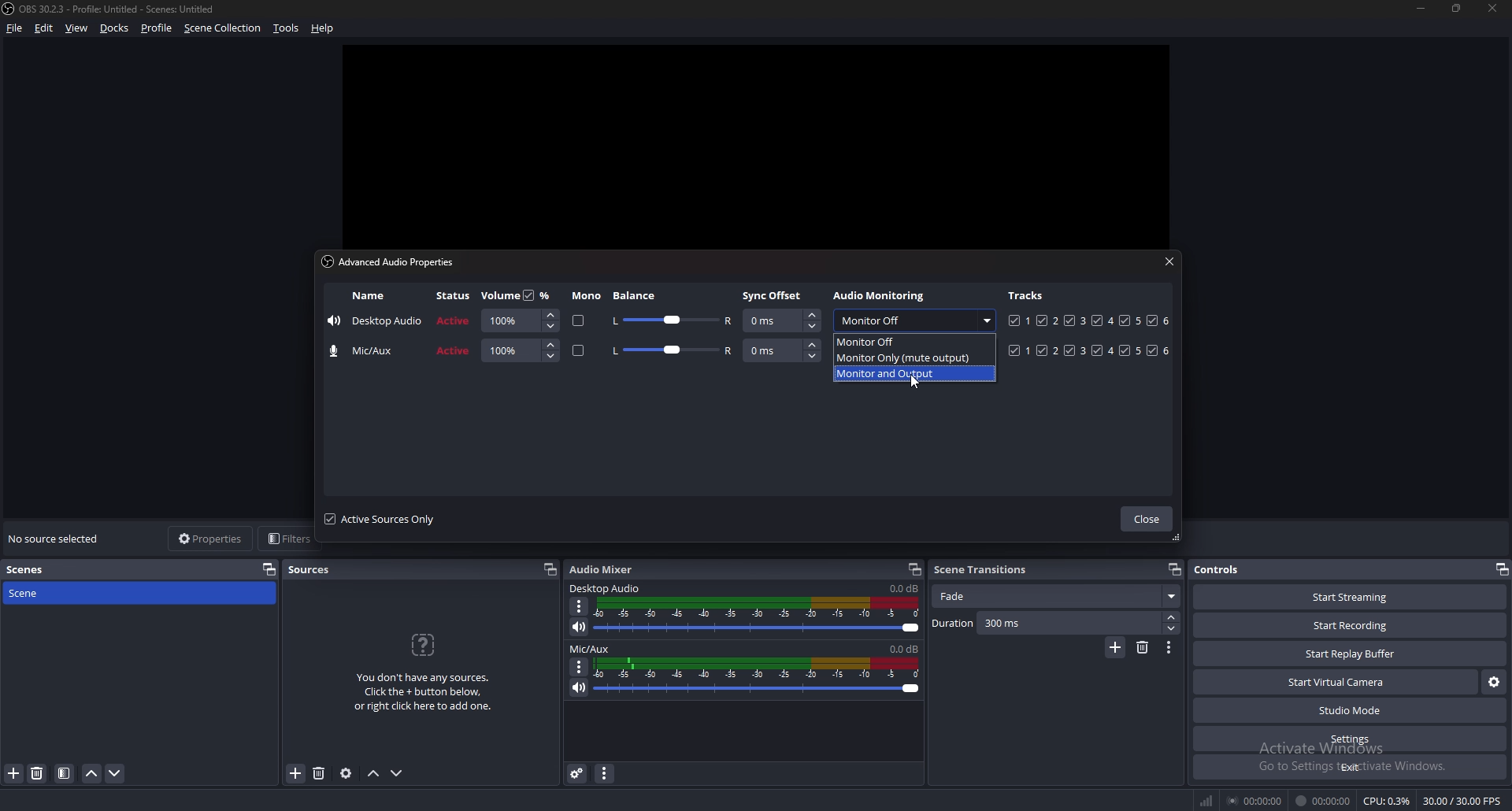 Image resolution: width=1512 pixels, height=811 pixels. I want to click on docks, so click(115, 28).